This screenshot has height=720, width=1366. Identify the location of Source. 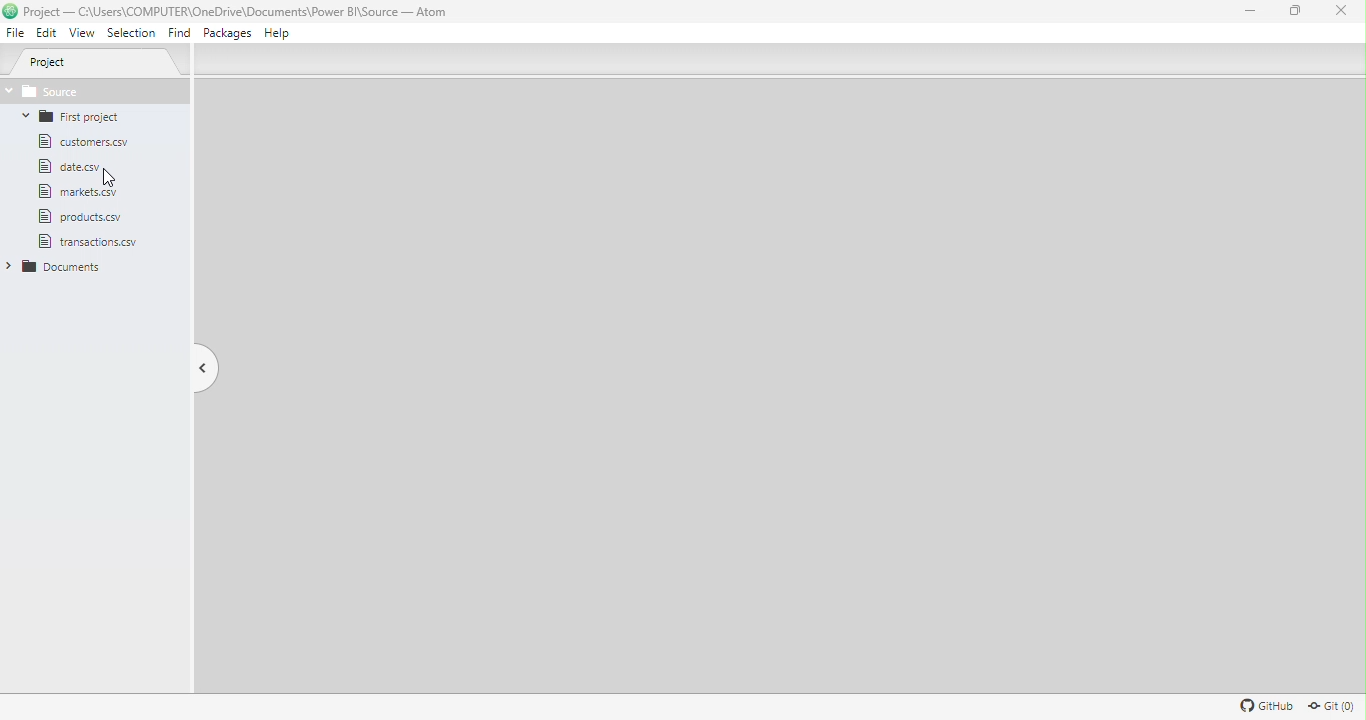
(77, 90).